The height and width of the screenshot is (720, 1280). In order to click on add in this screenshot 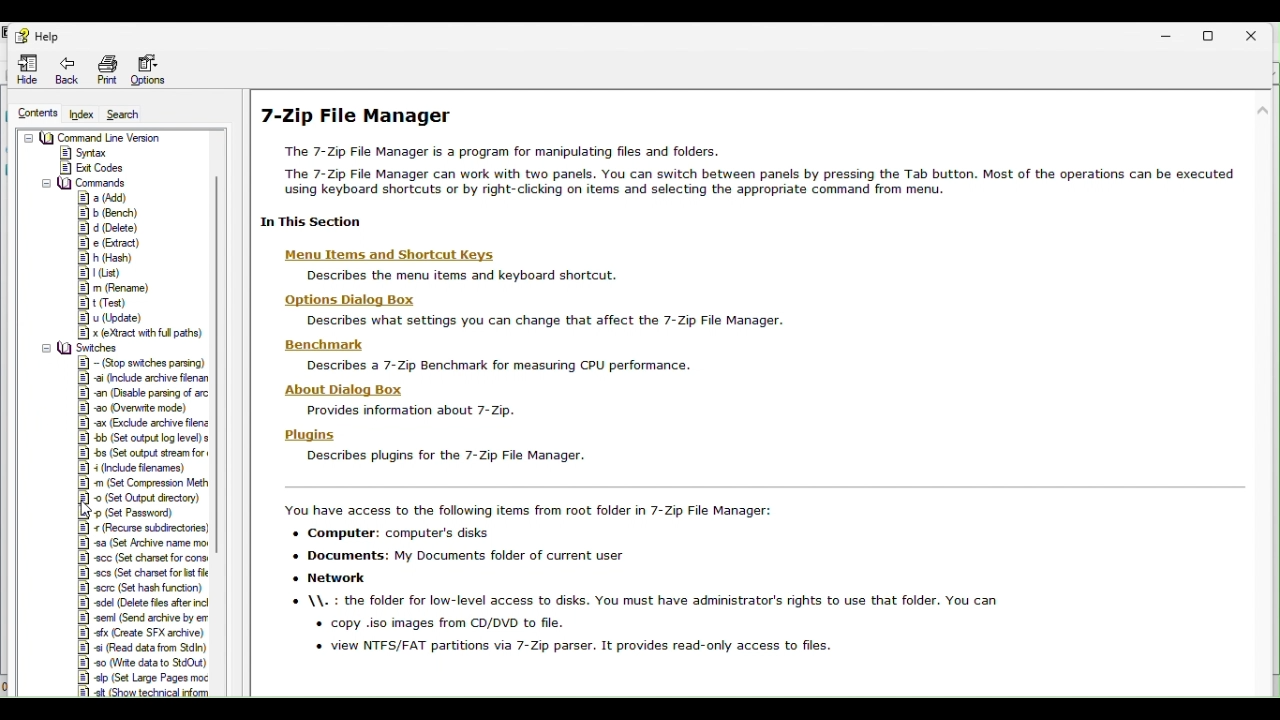, I will do `click(101, 195)`.